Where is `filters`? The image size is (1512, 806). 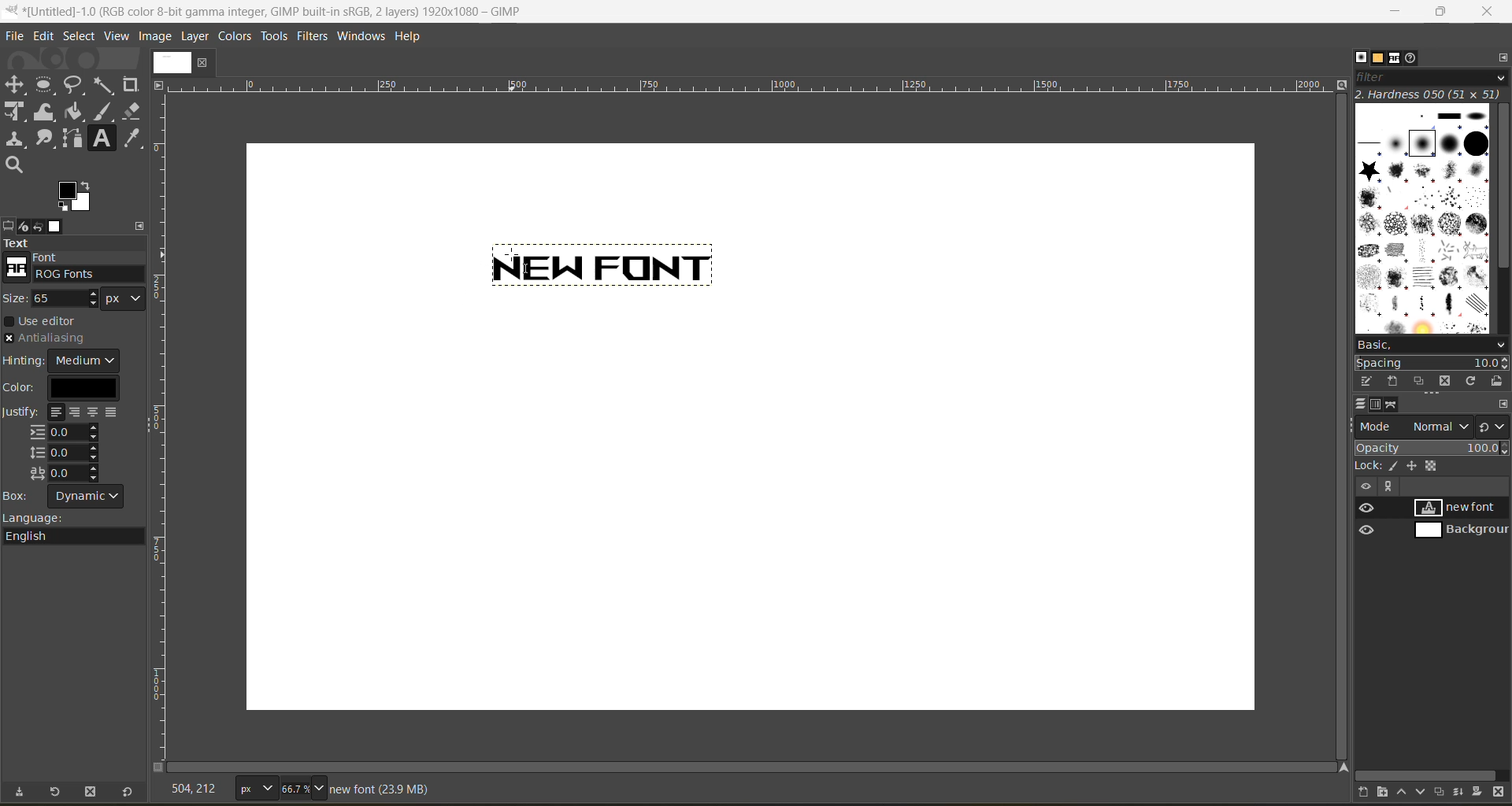 filters is located at coordinates (313, 39).